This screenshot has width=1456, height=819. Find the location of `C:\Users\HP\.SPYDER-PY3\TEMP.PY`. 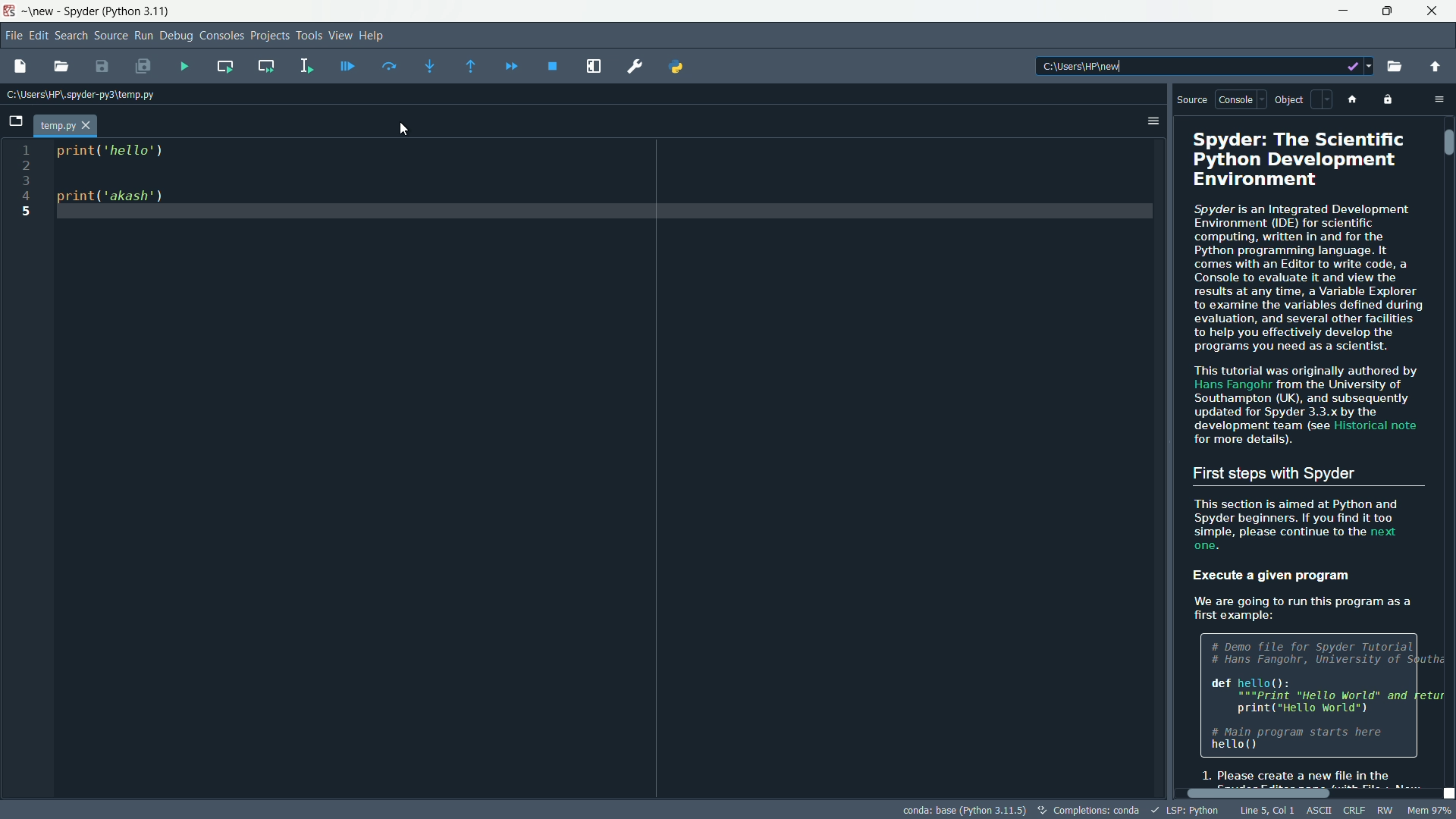

C:\Users\HP\.SPYDER-PY3\TEMP.PY is located at coordinates (86, 93).